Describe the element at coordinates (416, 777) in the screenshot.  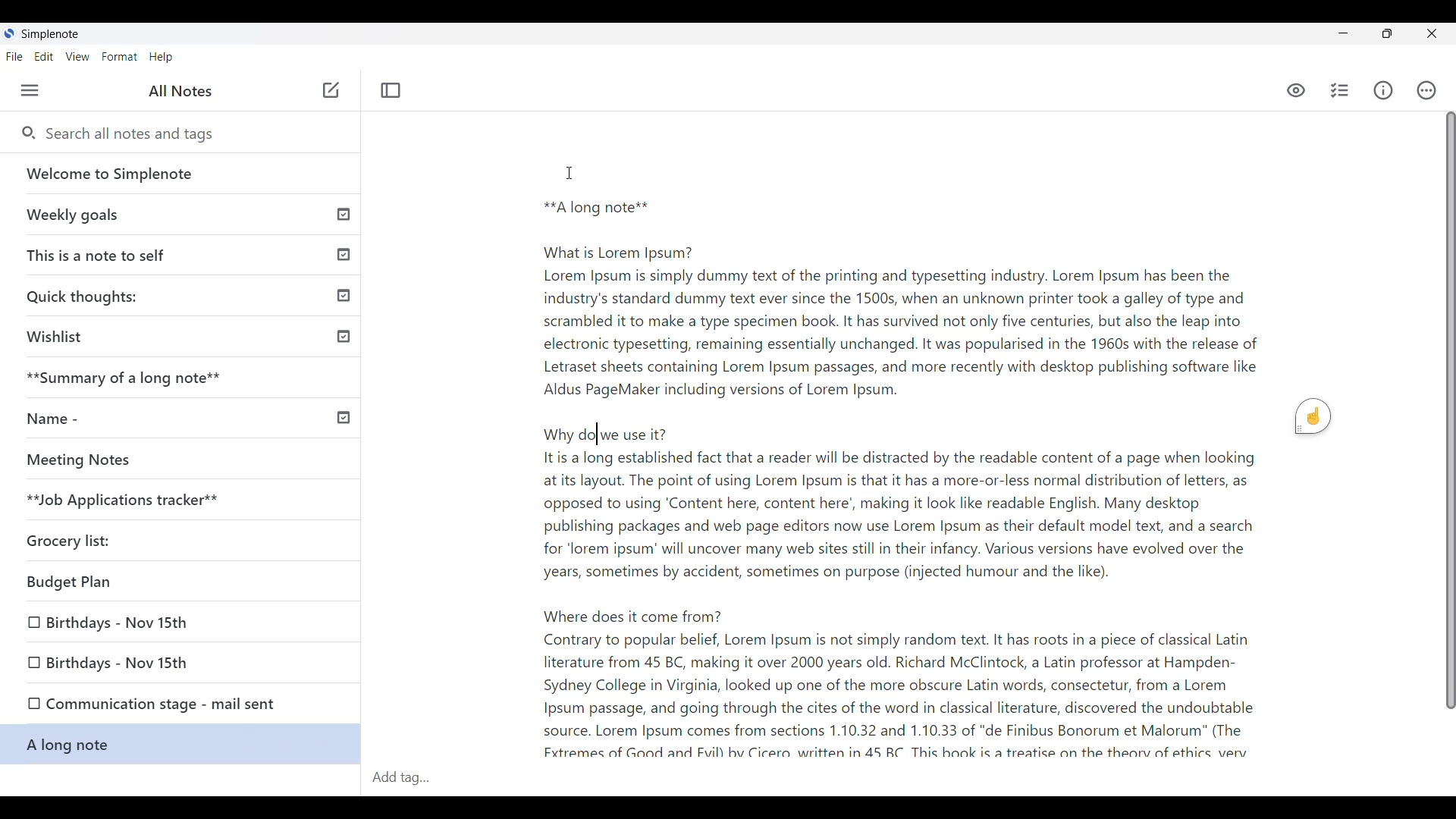
I see `Add tag` at that location.